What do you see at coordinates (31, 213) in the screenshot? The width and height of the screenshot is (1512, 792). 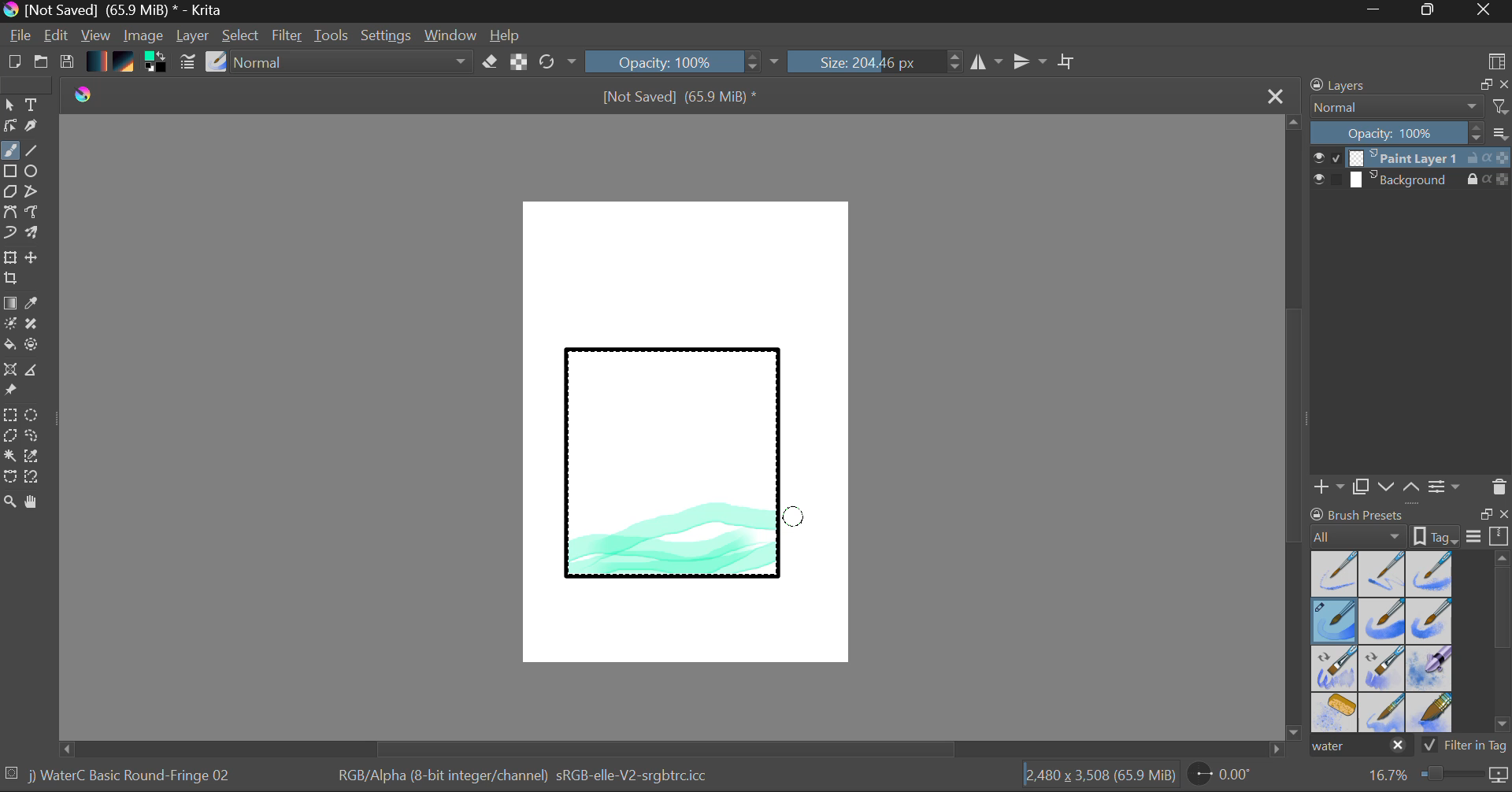 I see `Freehand Path Tool` at bounding box center [31, 213].